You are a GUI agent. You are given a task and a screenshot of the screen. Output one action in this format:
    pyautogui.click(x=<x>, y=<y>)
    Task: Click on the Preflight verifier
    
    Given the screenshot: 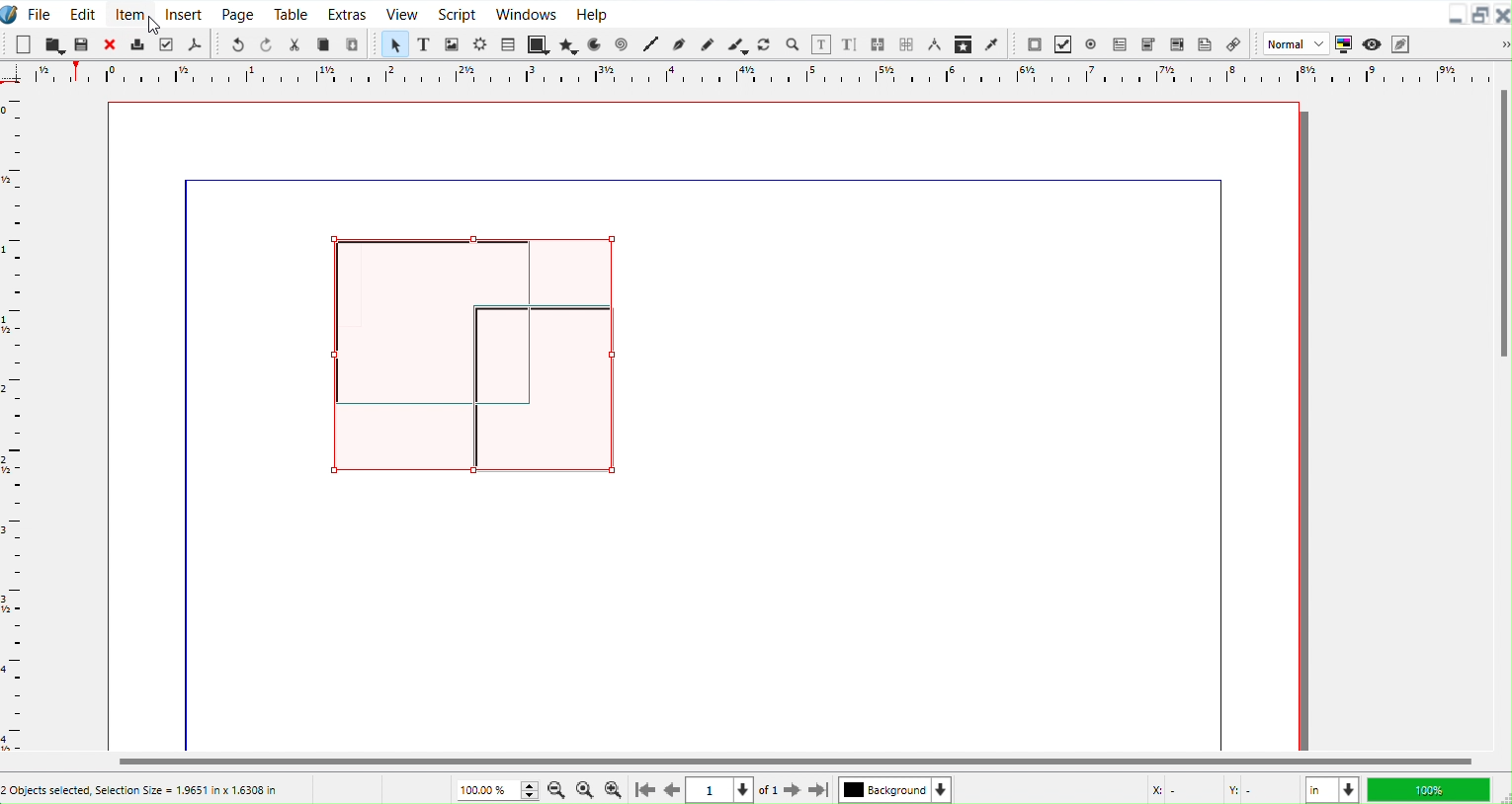 What is the action you would take?
    pyautogui.click(x=167, y=42)
    